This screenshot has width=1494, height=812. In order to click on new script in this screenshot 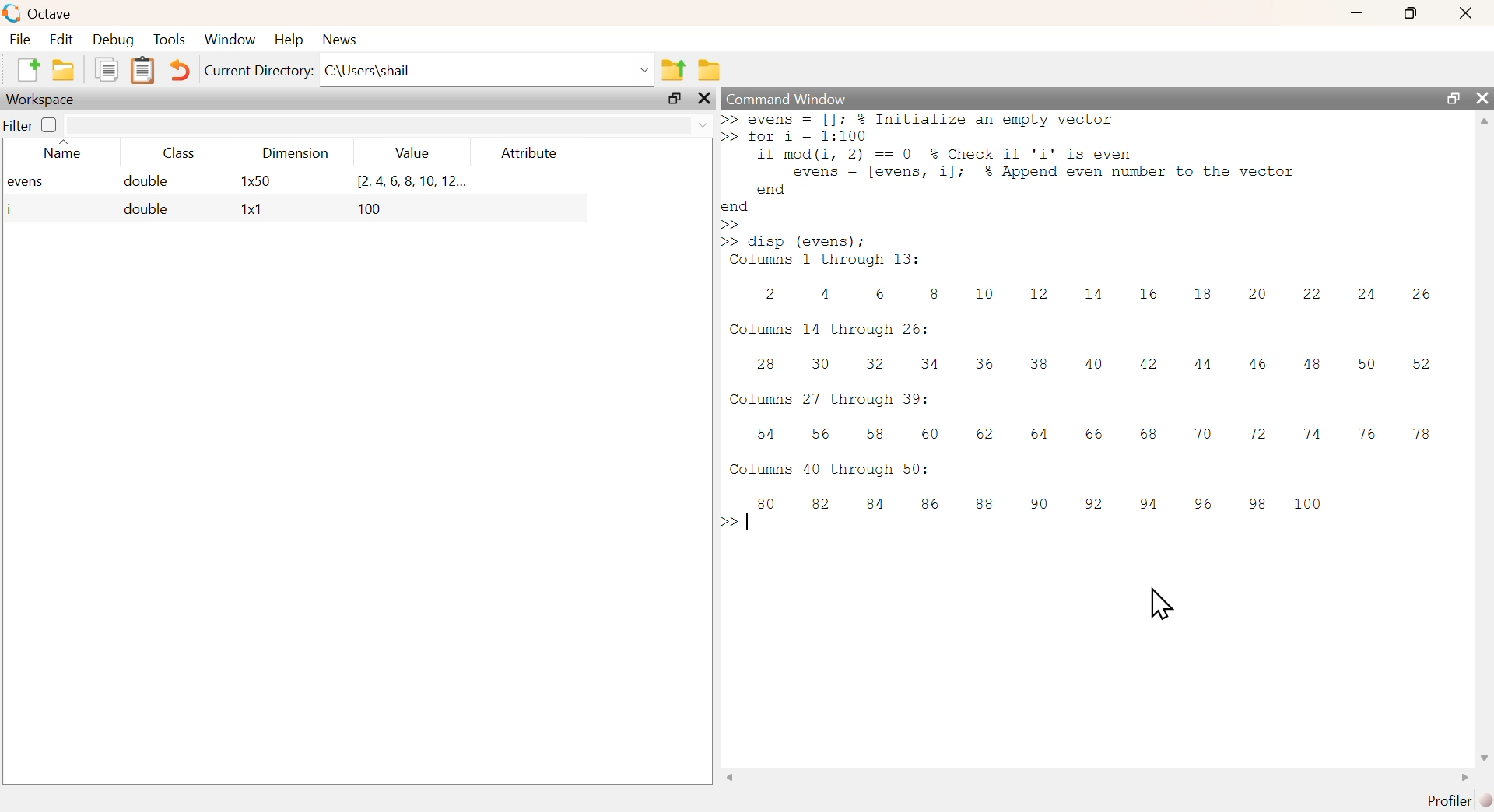, I will do `click(29, 72)`.